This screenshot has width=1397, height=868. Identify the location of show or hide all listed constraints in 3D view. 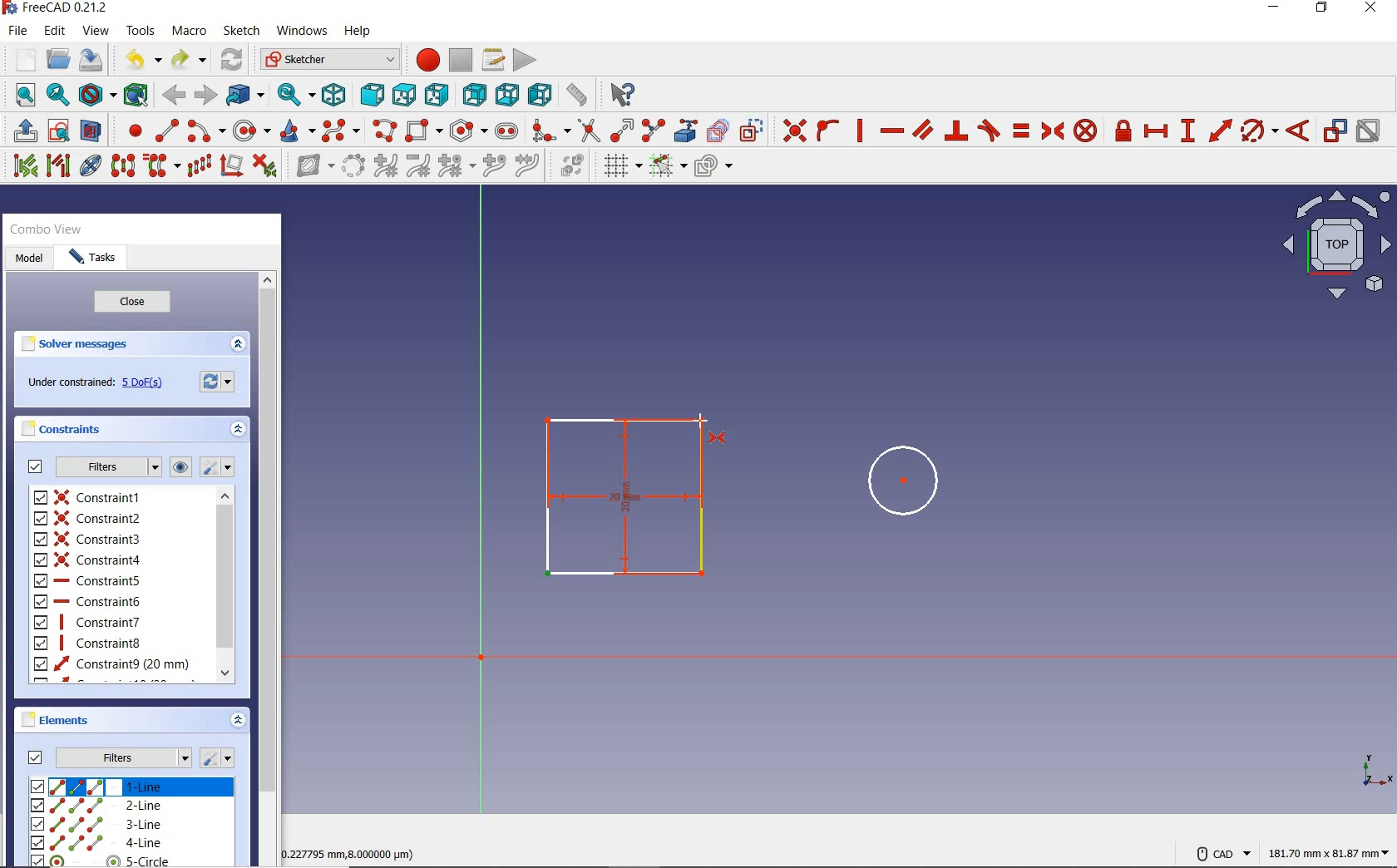
(181, 466).